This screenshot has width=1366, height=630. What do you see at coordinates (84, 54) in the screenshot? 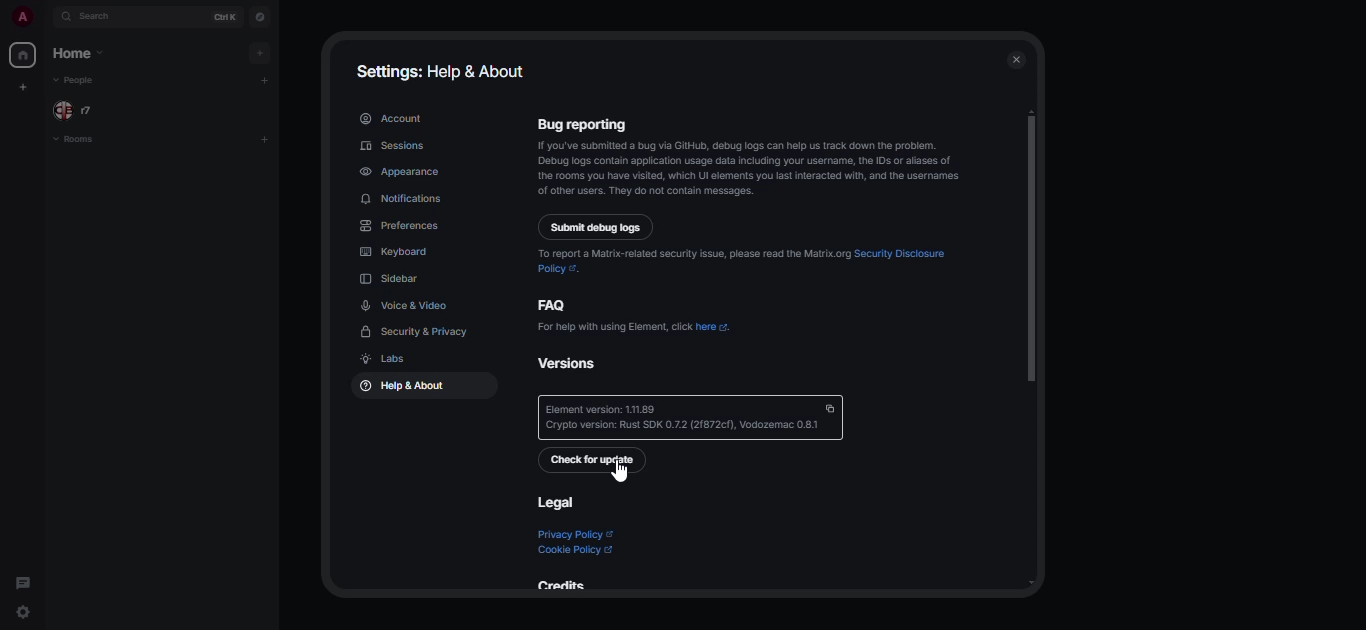
I see `home` at bounding box center [84, 54].